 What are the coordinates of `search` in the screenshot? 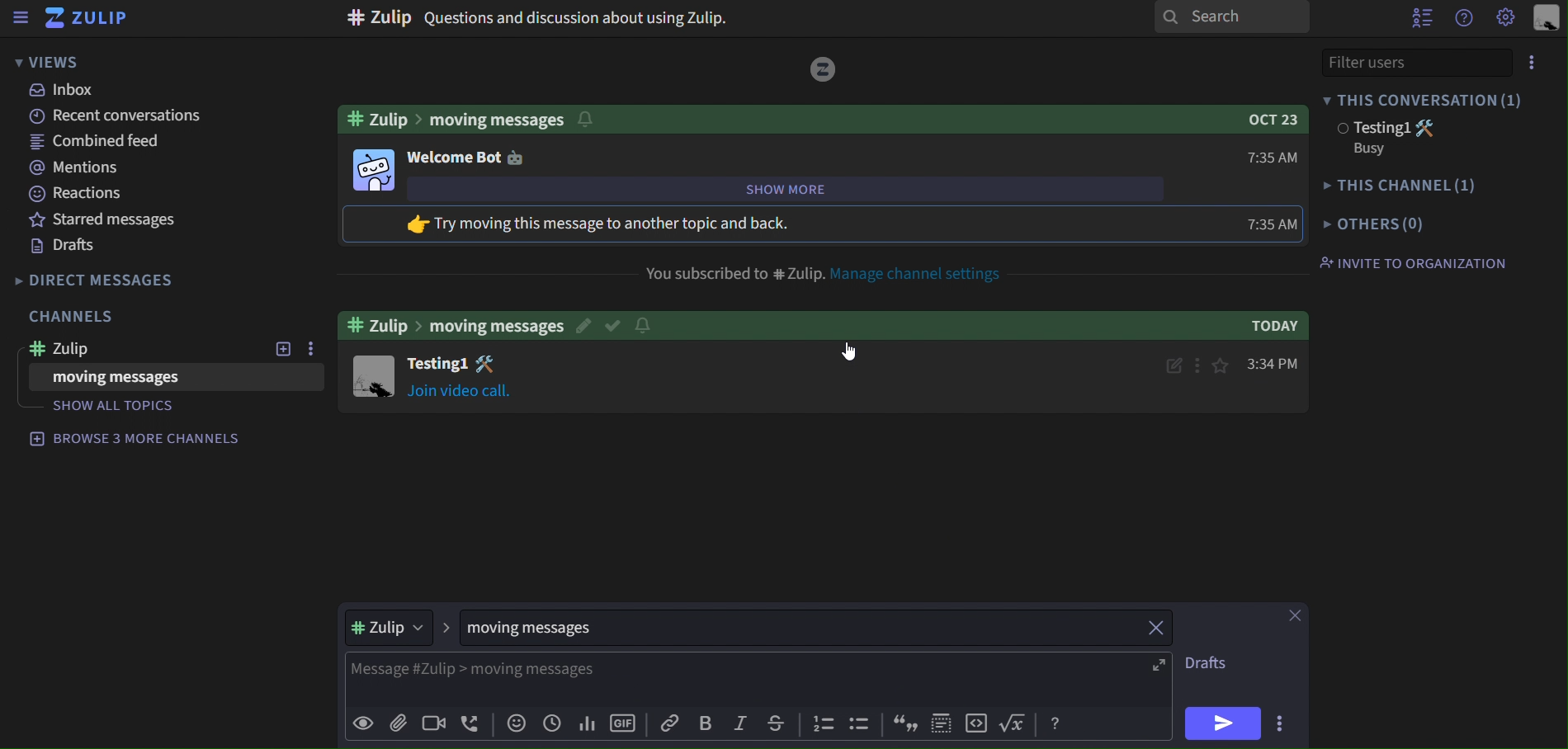 It's located at (1233, 17).